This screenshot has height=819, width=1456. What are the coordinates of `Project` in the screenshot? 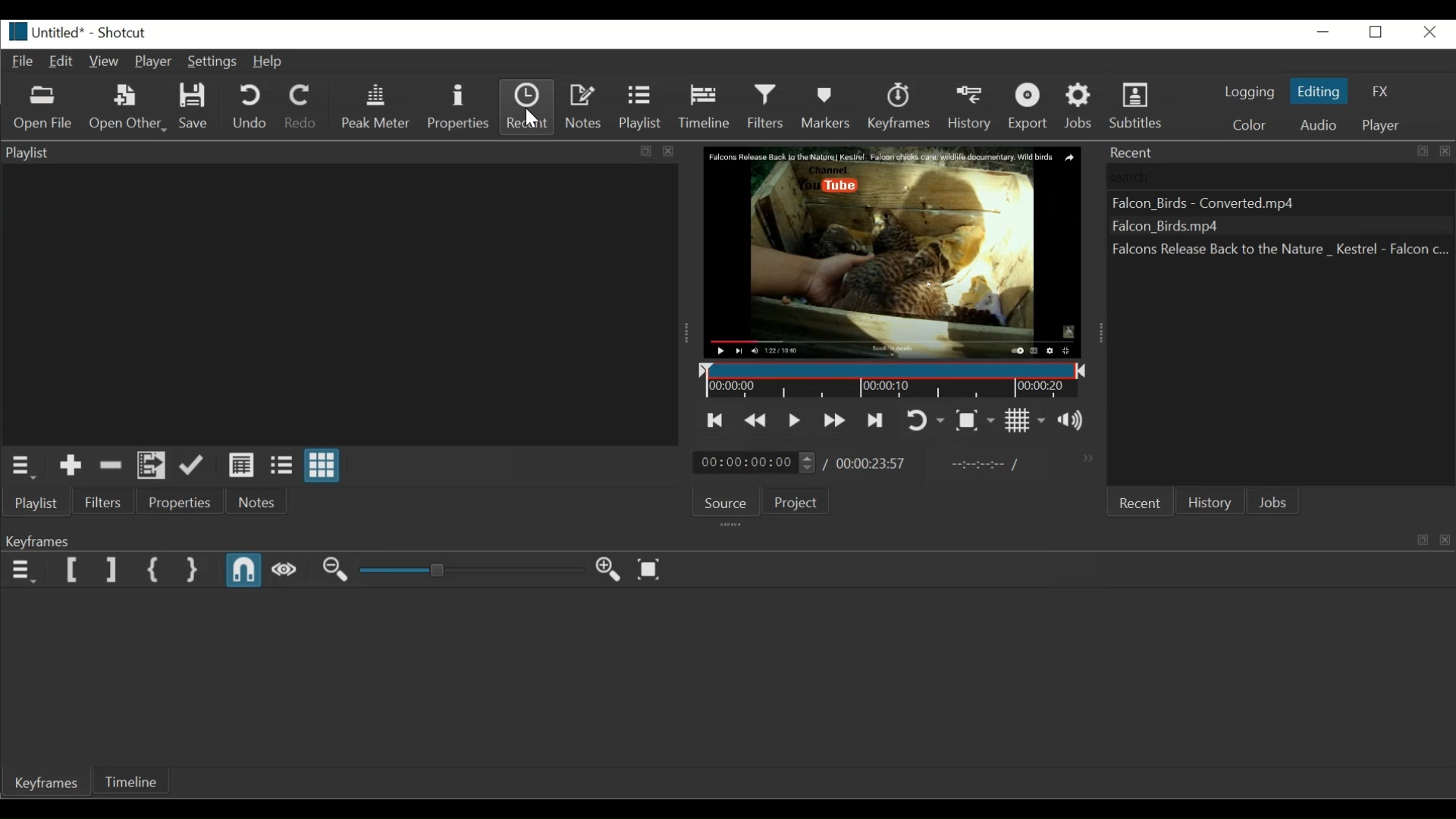 It's located at (794, 503).